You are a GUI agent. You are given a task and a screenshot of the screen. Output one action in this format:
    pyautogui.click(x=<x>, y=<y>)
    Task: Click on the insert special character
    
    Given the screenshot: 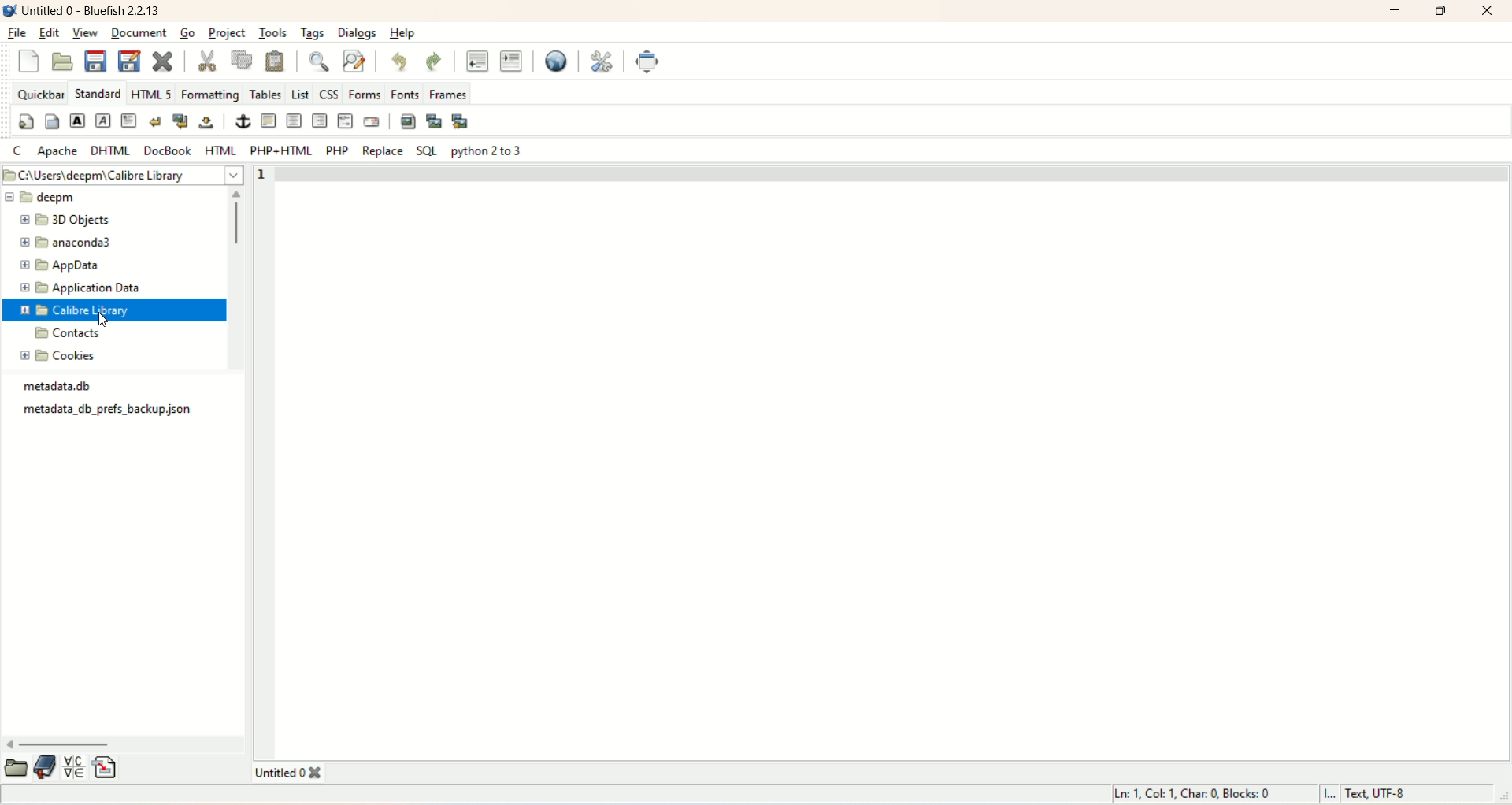 What is the action you would take?
    pyautogui.click(x=74, y=768)
    